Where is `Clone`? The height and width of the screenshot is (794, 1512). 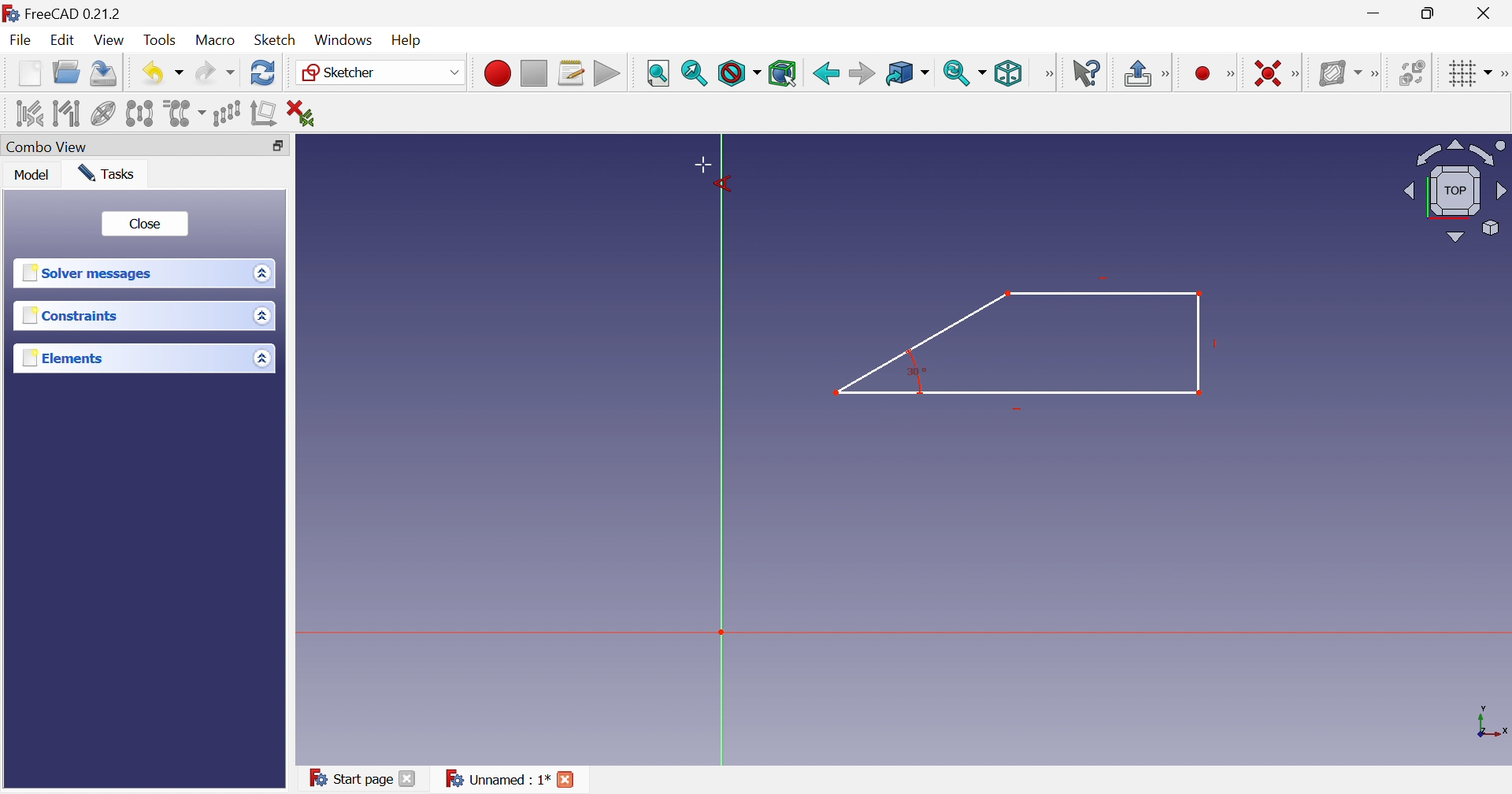
Clone is located at coordinates (186, 114).